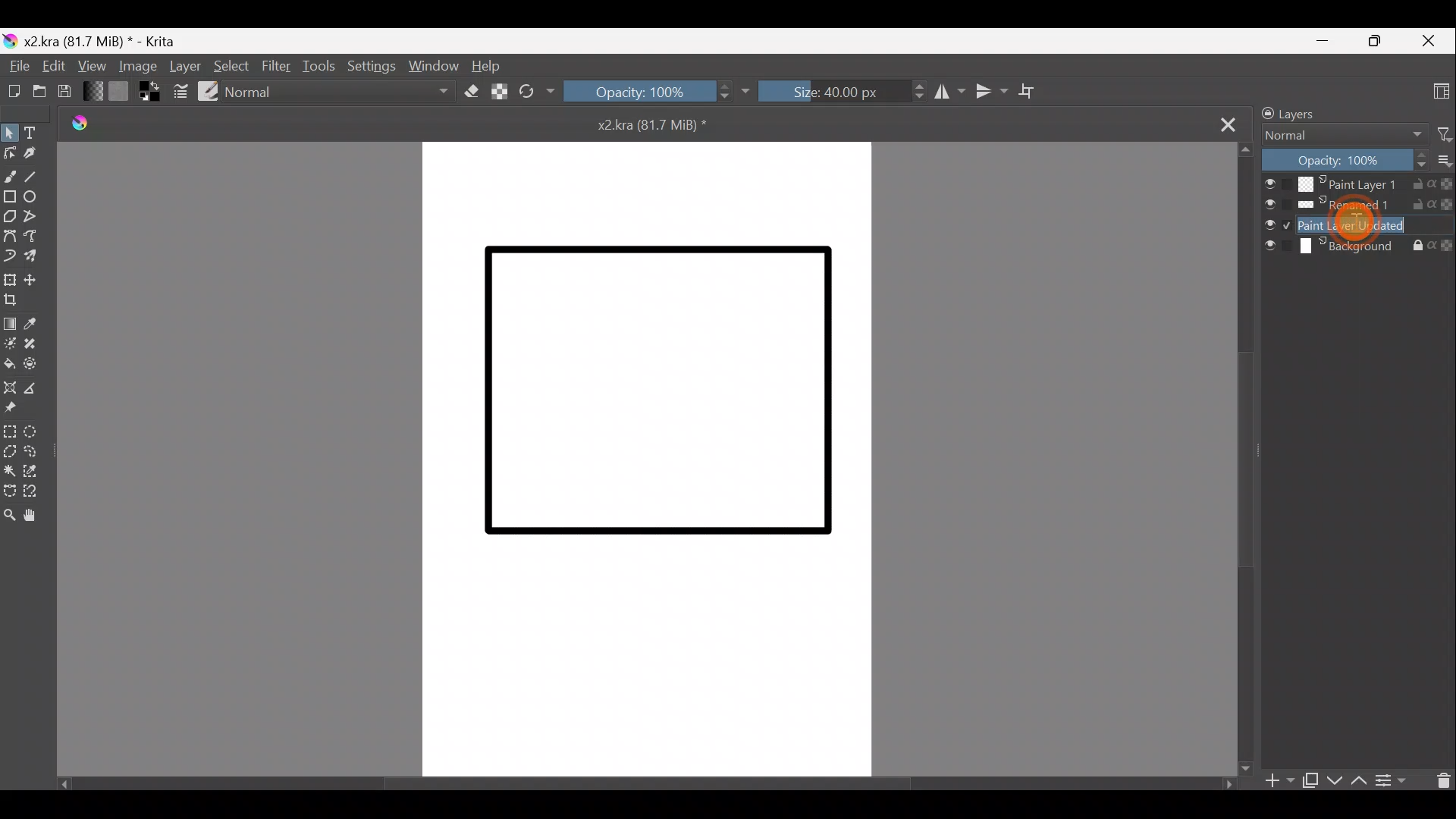 Image resolution: width=1456 pixels, height=819 pixels. Describe the element at coordinates (949, 90) in the screenshot. I see `Horizontal mirror tool` at that location.